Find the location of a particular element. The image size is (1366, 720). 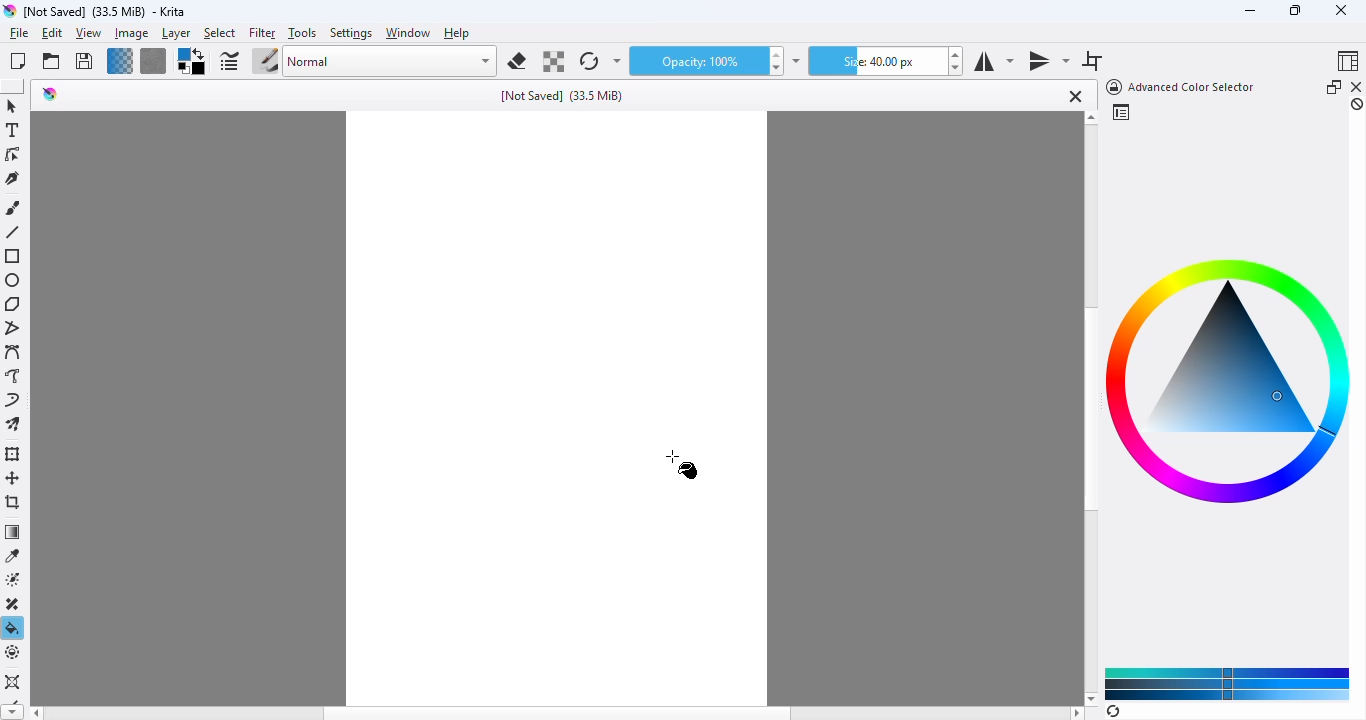

view is located at coordinates (89, 34).